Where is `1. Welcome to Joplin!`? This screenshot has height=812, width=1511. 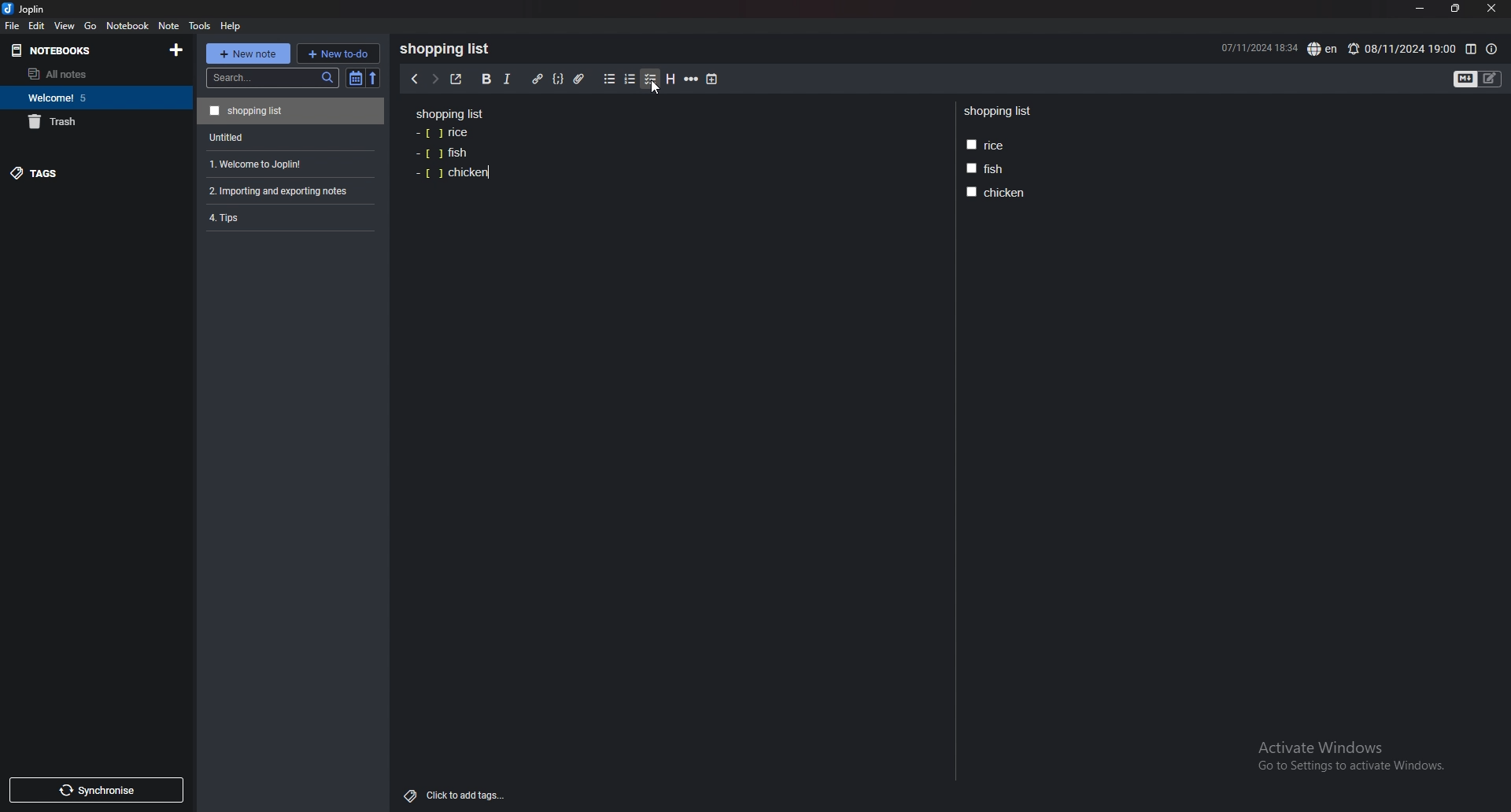
1. Welcome to Joplin! is located at coordinates (287, 162).